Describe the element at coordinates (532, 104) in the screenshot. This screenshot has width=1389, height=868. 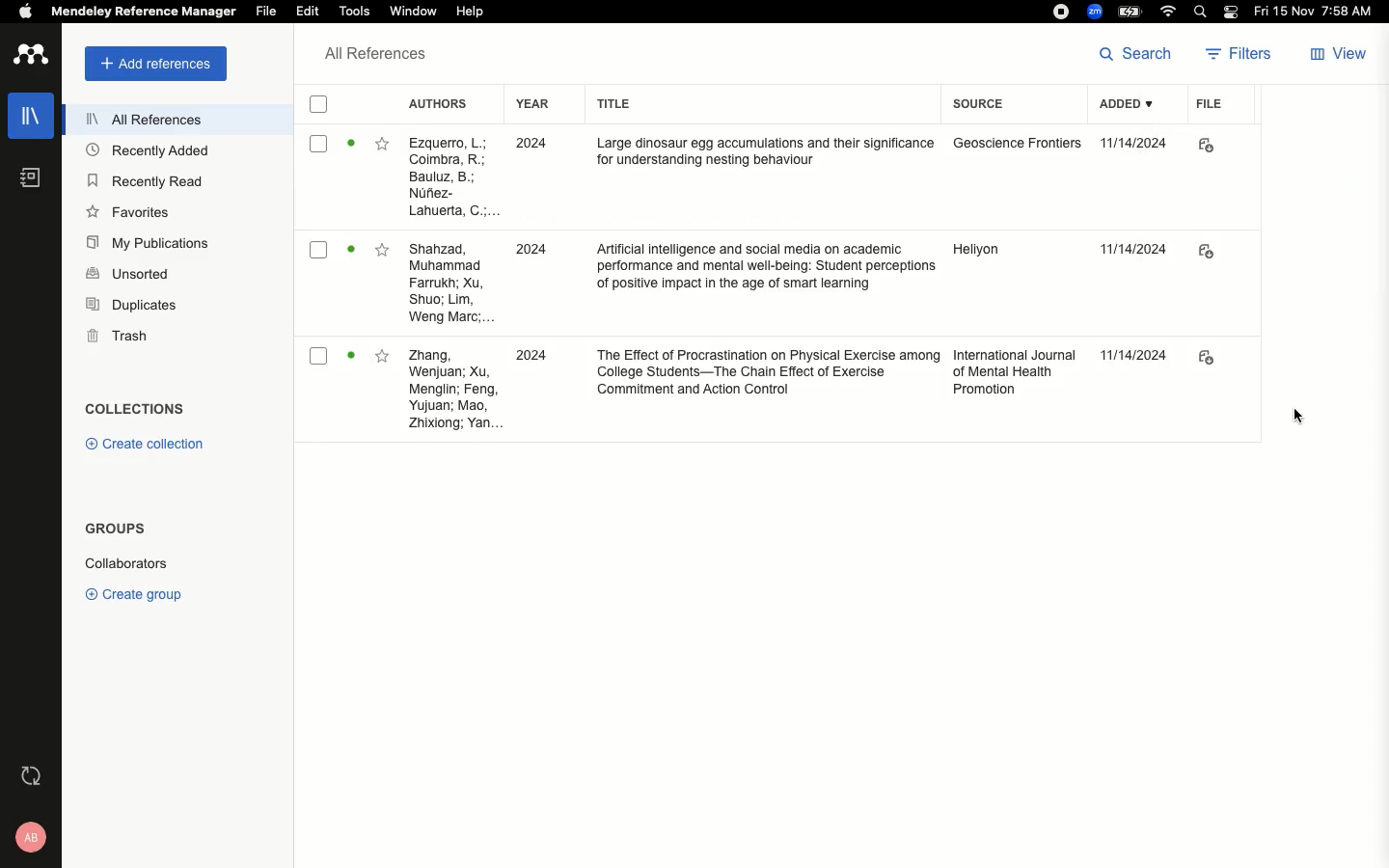
I see `Year` at that location.